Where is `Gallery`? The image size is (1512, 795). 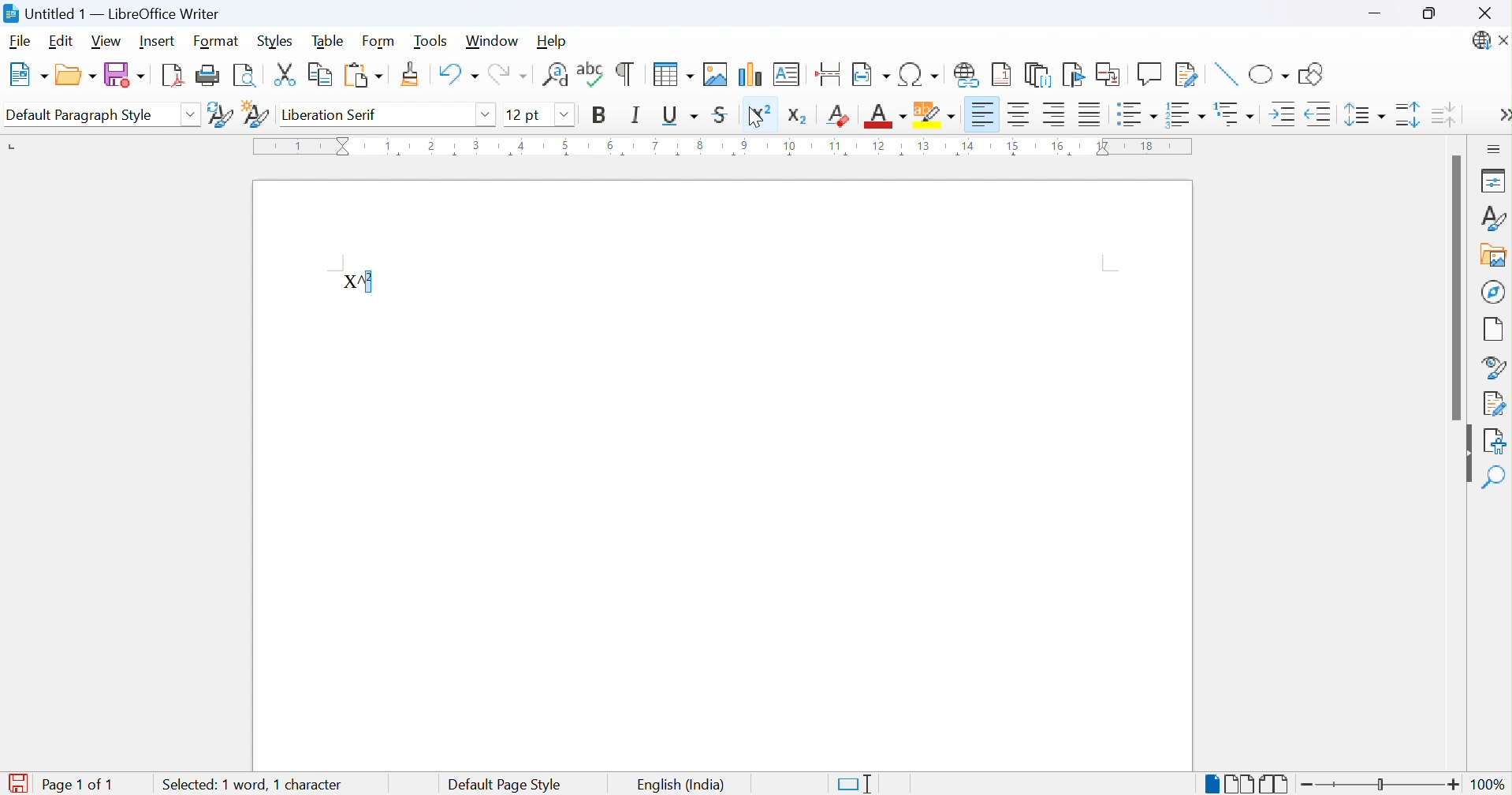
Gallery is located at coordinates (1493, 255).